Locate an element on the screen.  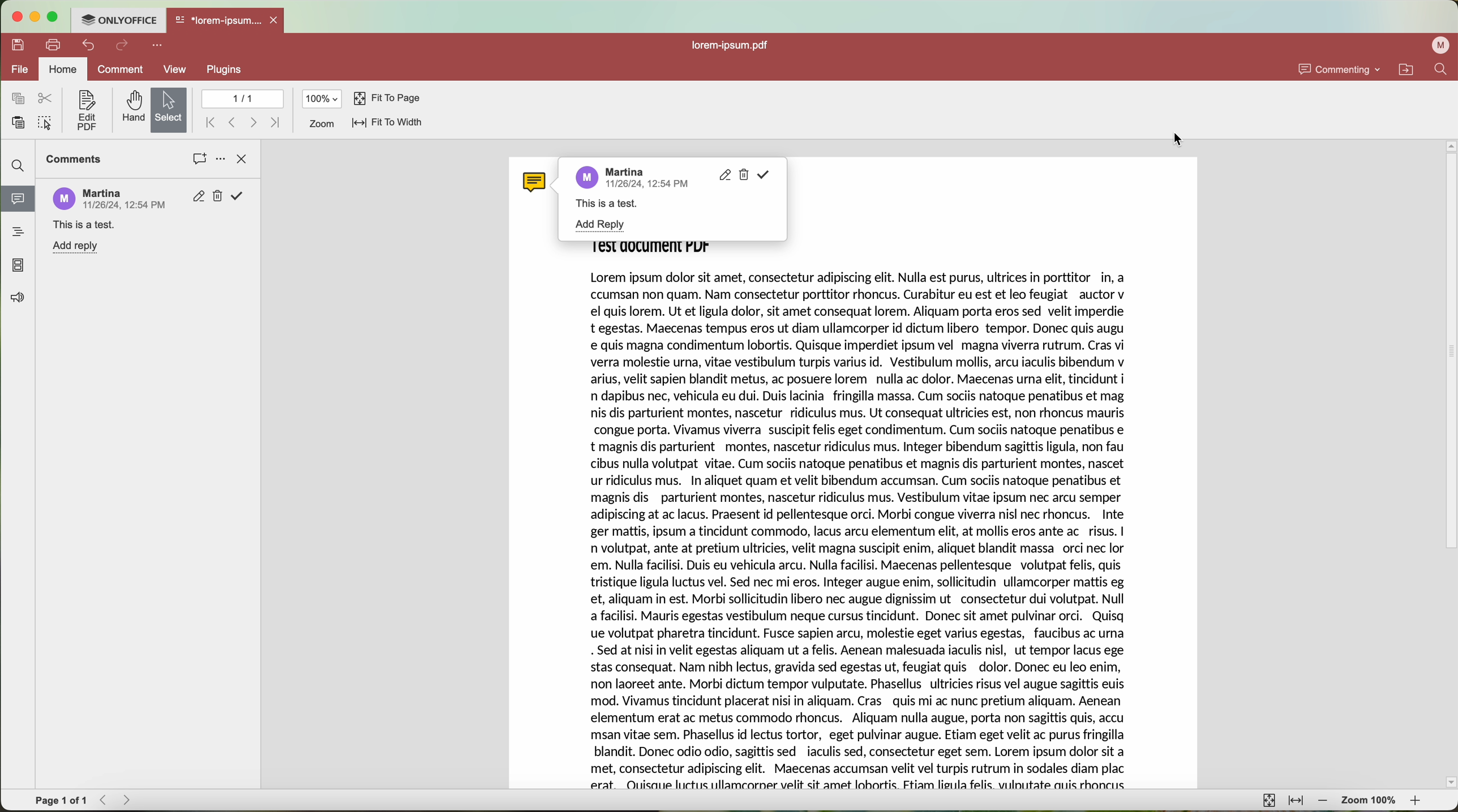
options is located at coordinates (220, 160).